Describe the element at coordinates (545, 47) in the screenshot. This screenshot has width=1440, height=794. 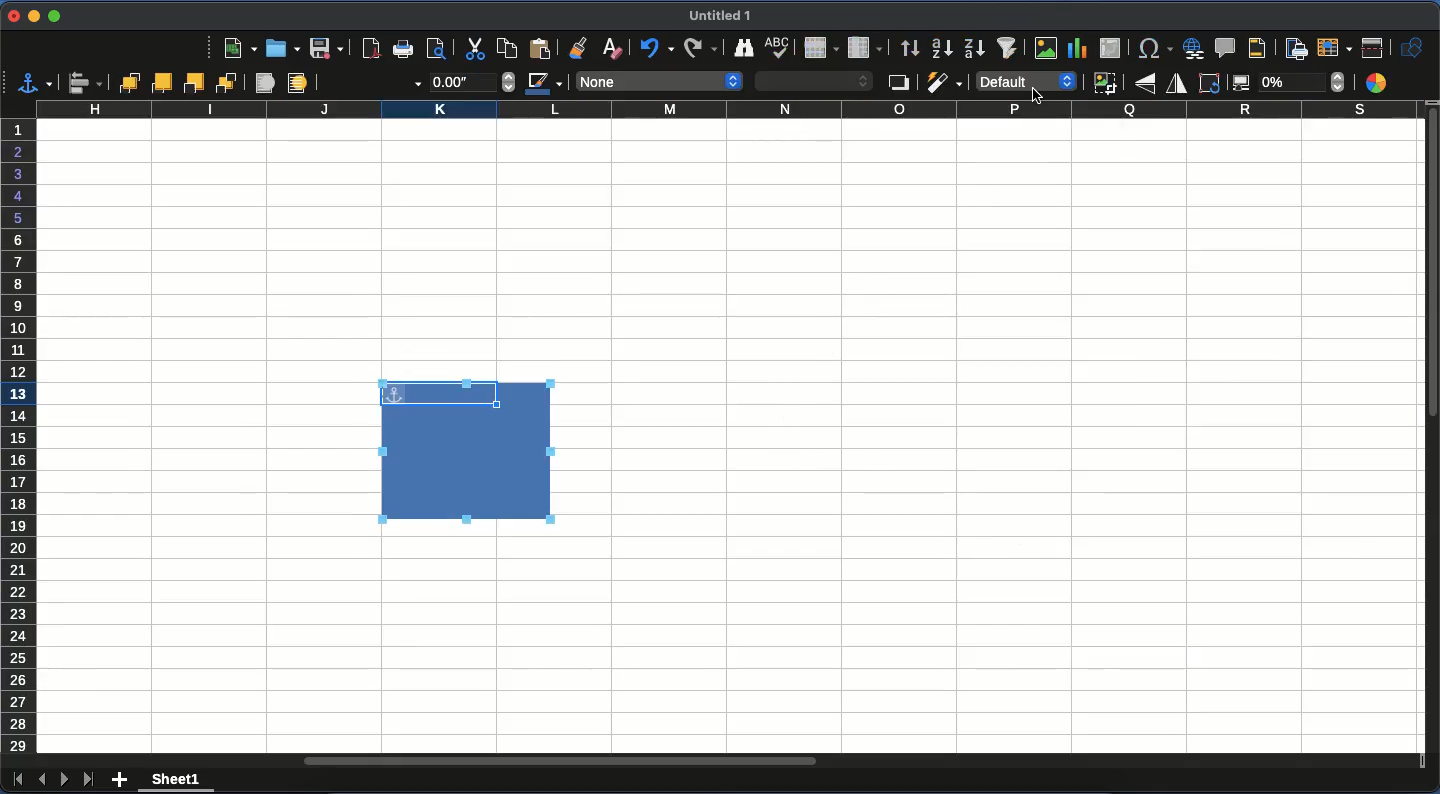
I see `paste` at that location.